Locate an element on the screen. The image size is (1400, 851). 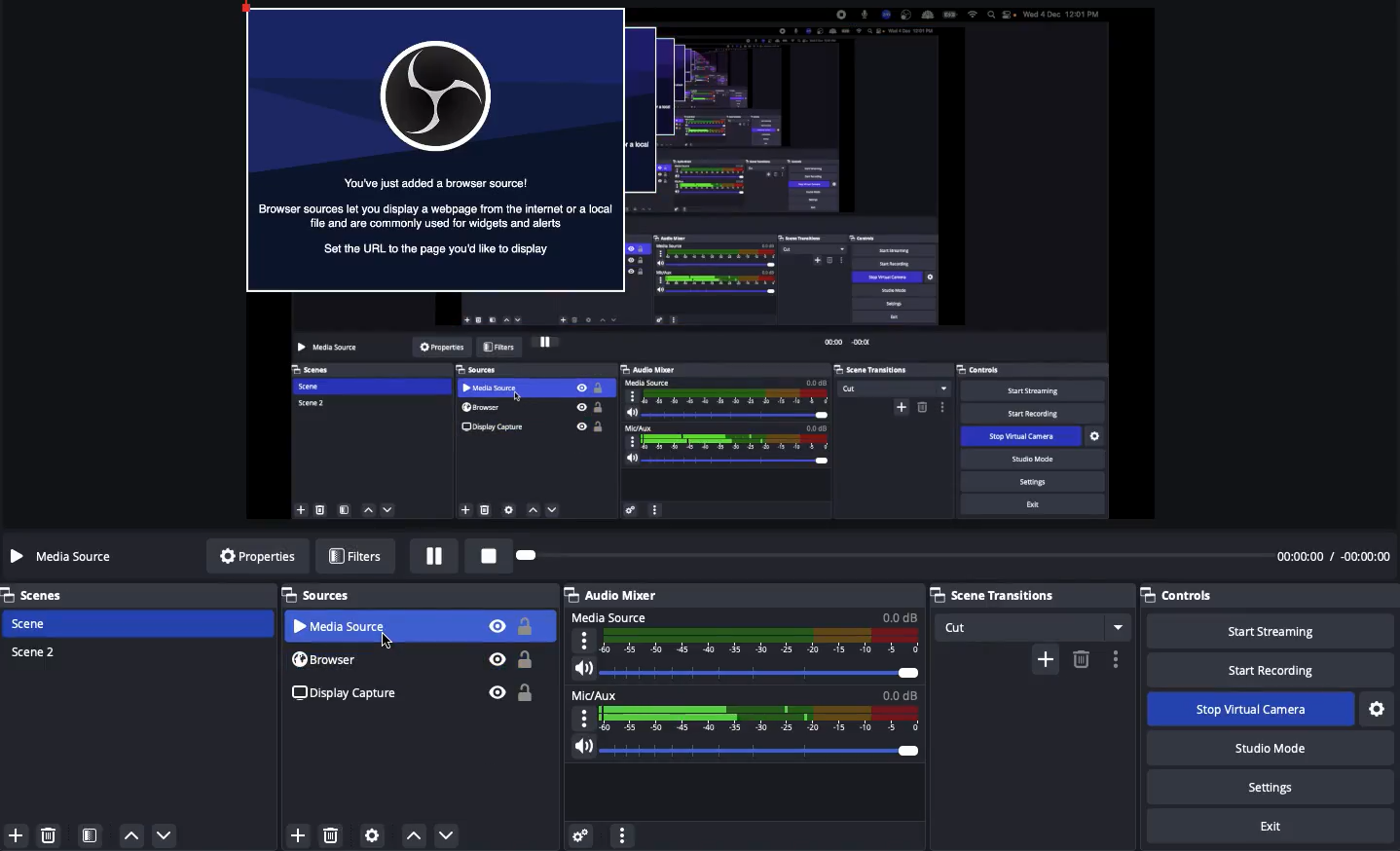
Volume is located at coordinates (746, 668).